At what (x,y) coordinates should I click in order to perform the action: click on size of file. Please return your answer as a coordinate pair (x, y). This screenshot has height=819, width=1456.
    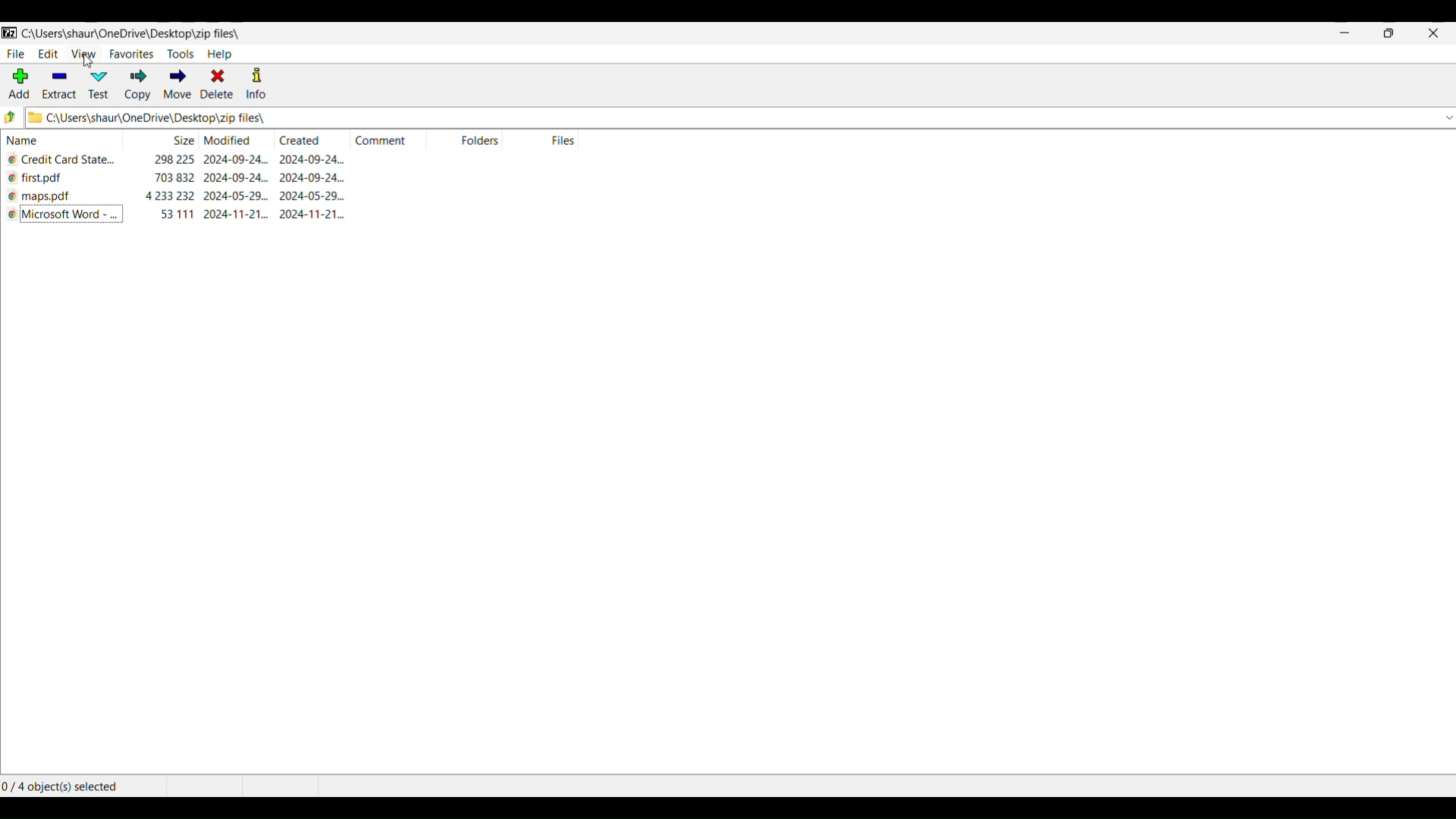
    Looking at the image, I should click on (175, 179).